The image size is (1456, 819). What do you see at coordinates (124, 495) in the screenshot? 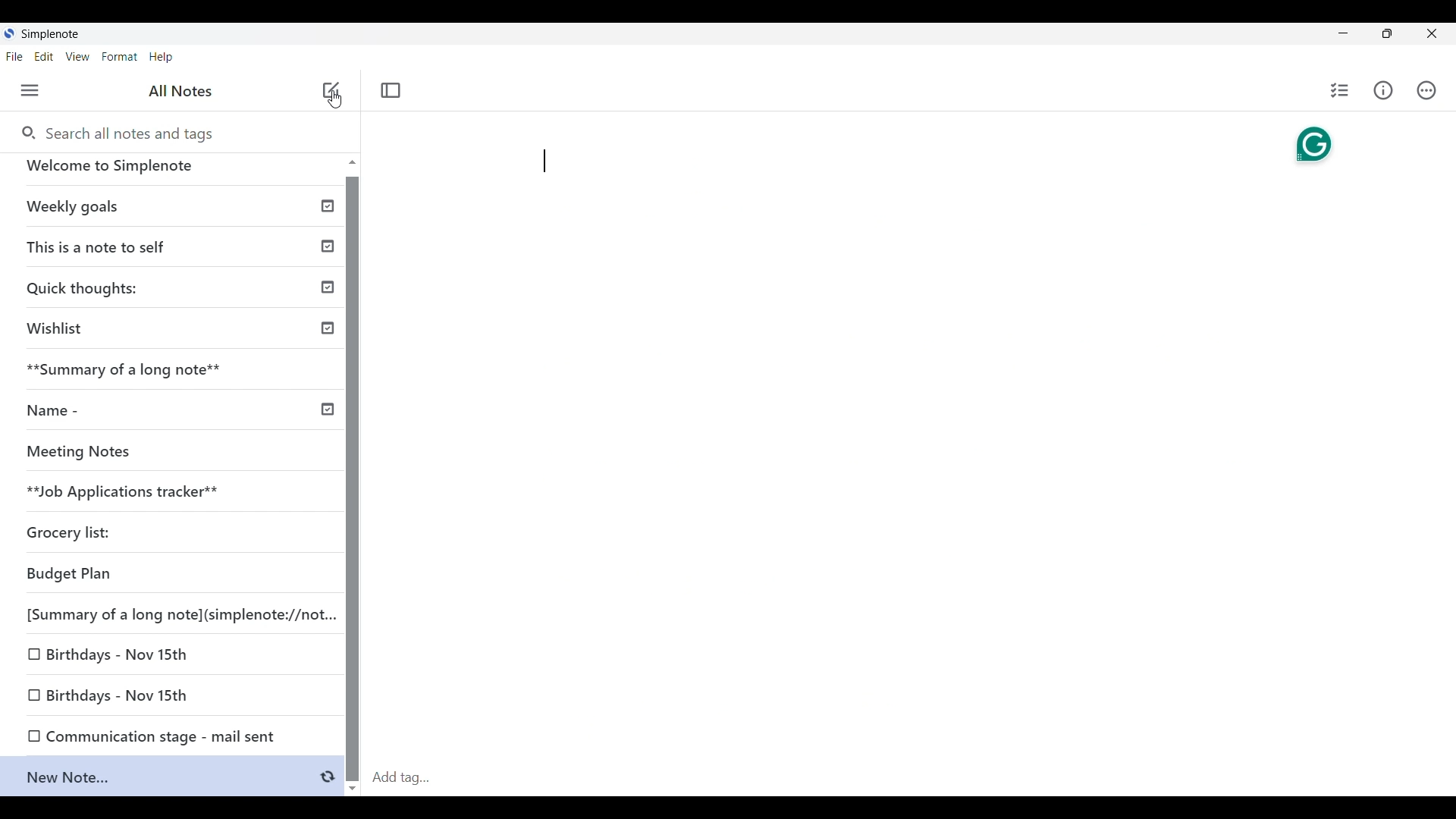
I see `Unpublished note` at bounding box center [124, 495].